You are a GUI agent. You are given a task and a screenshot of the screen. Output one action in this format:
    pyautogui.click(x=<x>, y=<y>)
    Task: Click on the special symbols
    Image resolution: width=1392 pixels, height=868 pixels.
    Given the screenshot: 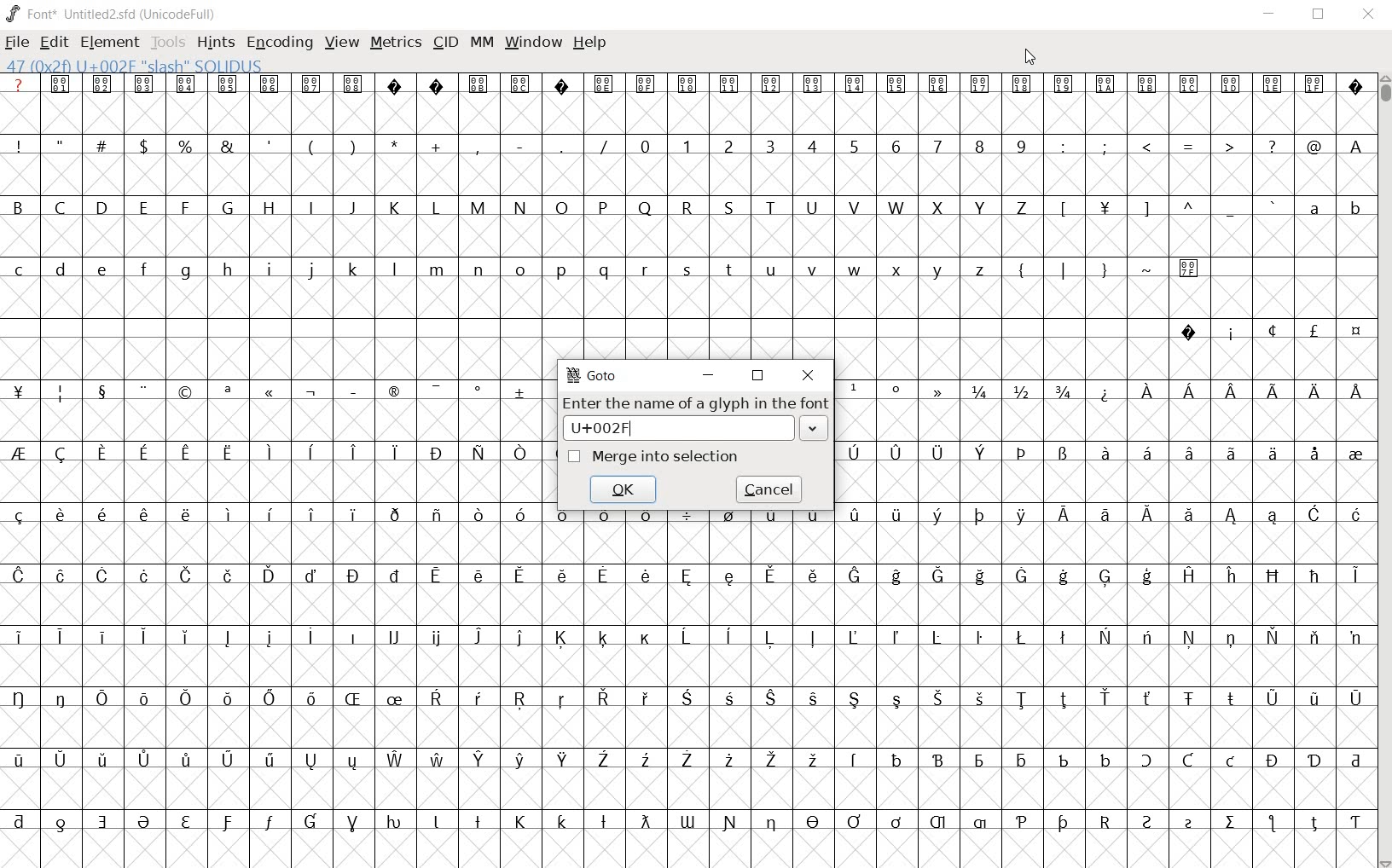 What is the action you would take?
    pyautogui.click(x=1263, y=330)
    